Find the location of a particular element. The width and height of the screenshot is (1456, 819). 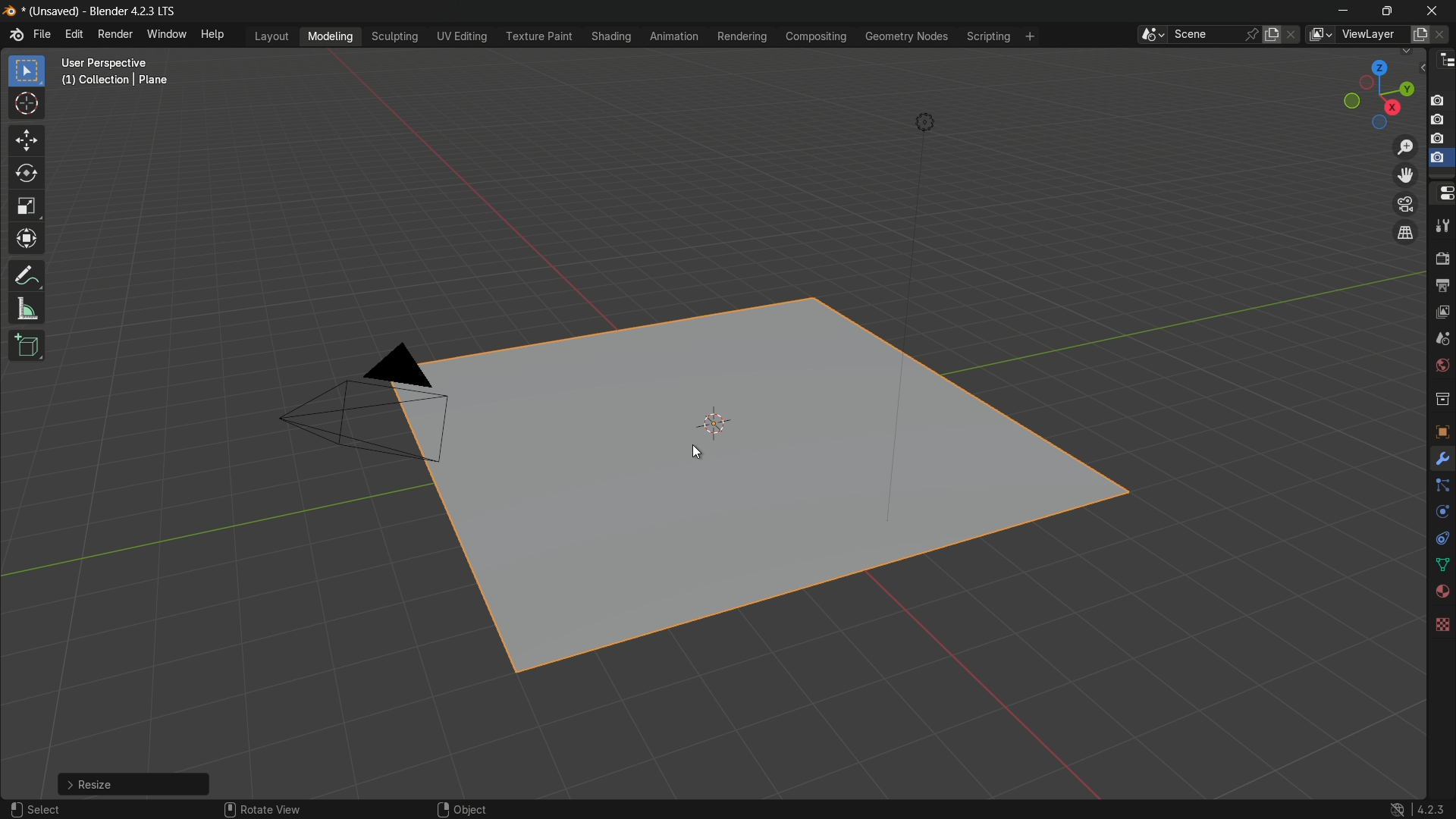

 is located at coordinates (1442, 365).